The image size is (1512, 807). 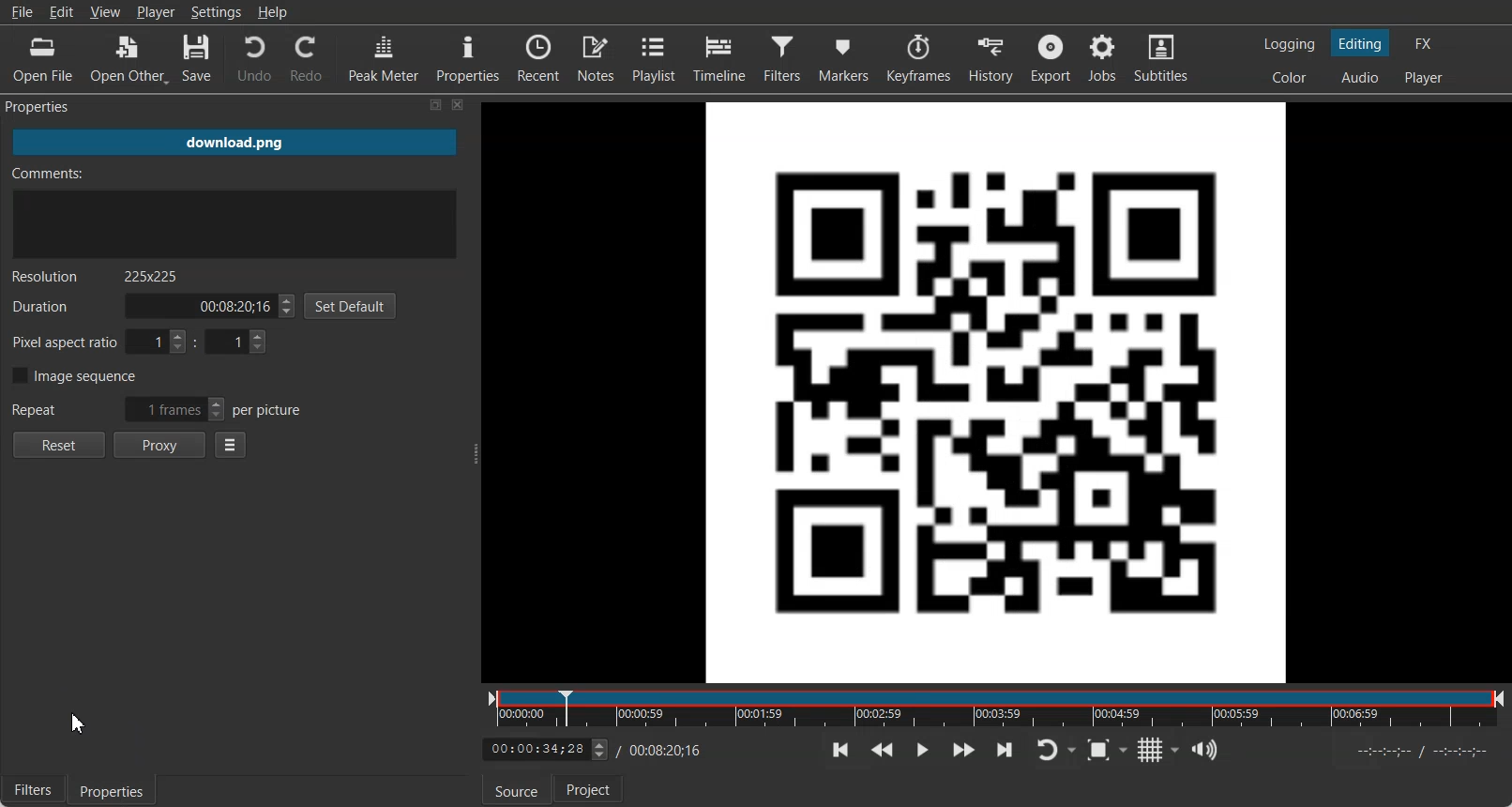 I want to click on Filters, so click(x=32, y=789).